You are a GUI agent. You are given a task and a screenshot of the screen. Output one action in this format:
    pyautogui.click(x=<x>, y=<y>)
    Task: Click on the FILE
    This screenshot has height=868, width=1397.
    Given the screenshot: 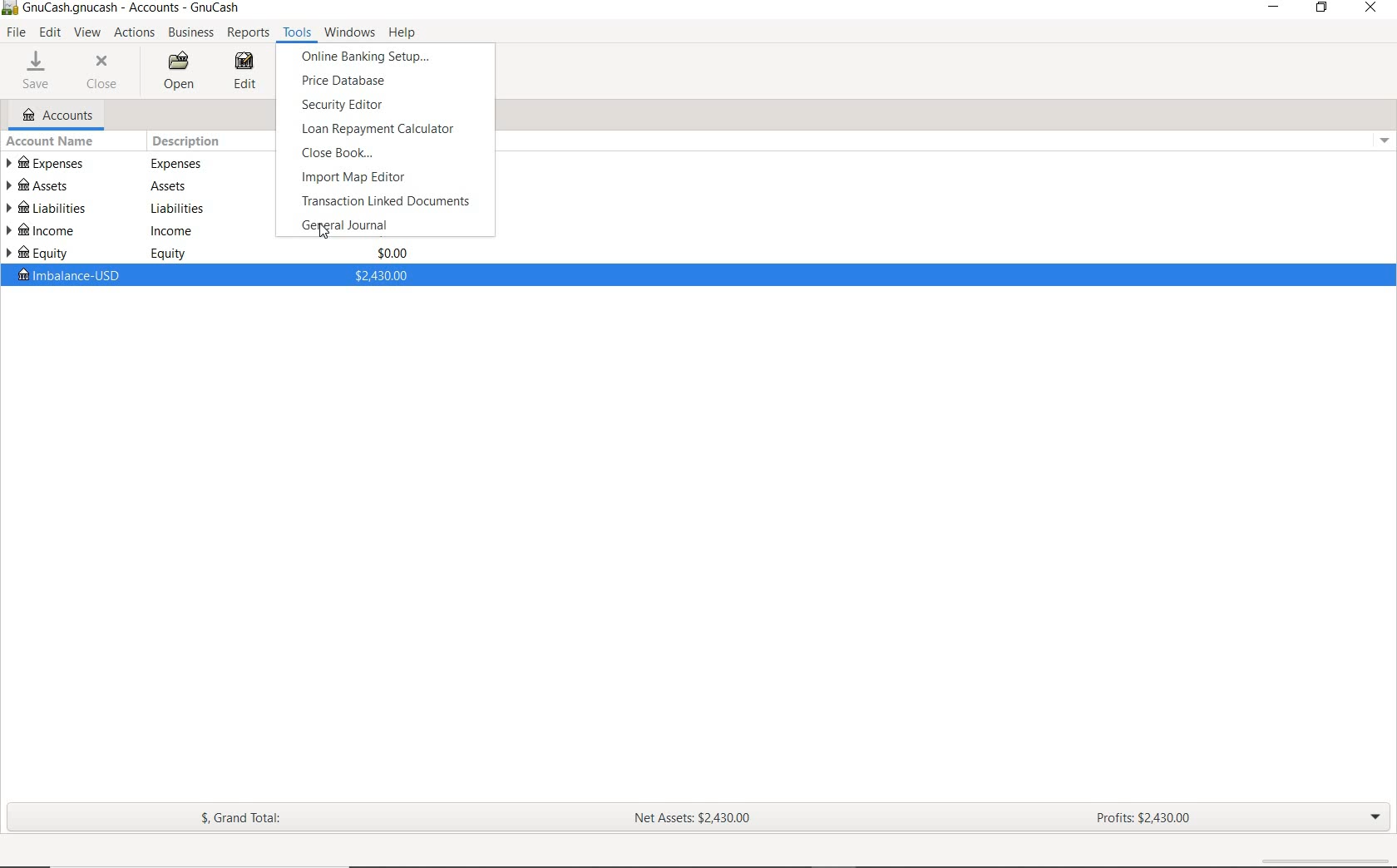 What is the action you would take?
    pyautogui.click(x=19, y=33)
    